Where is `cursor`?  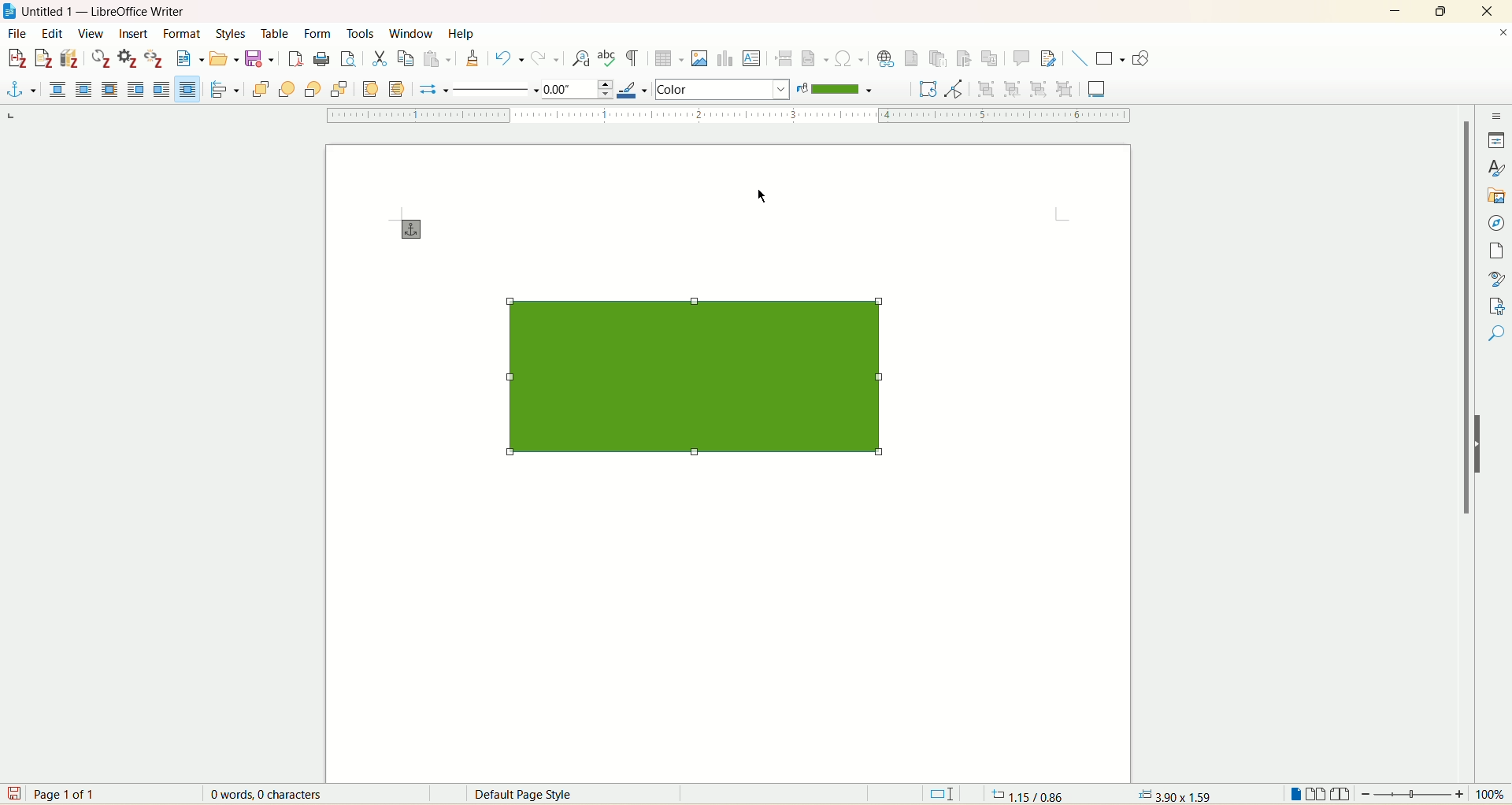
cursor is located at coordinates (767, 197).